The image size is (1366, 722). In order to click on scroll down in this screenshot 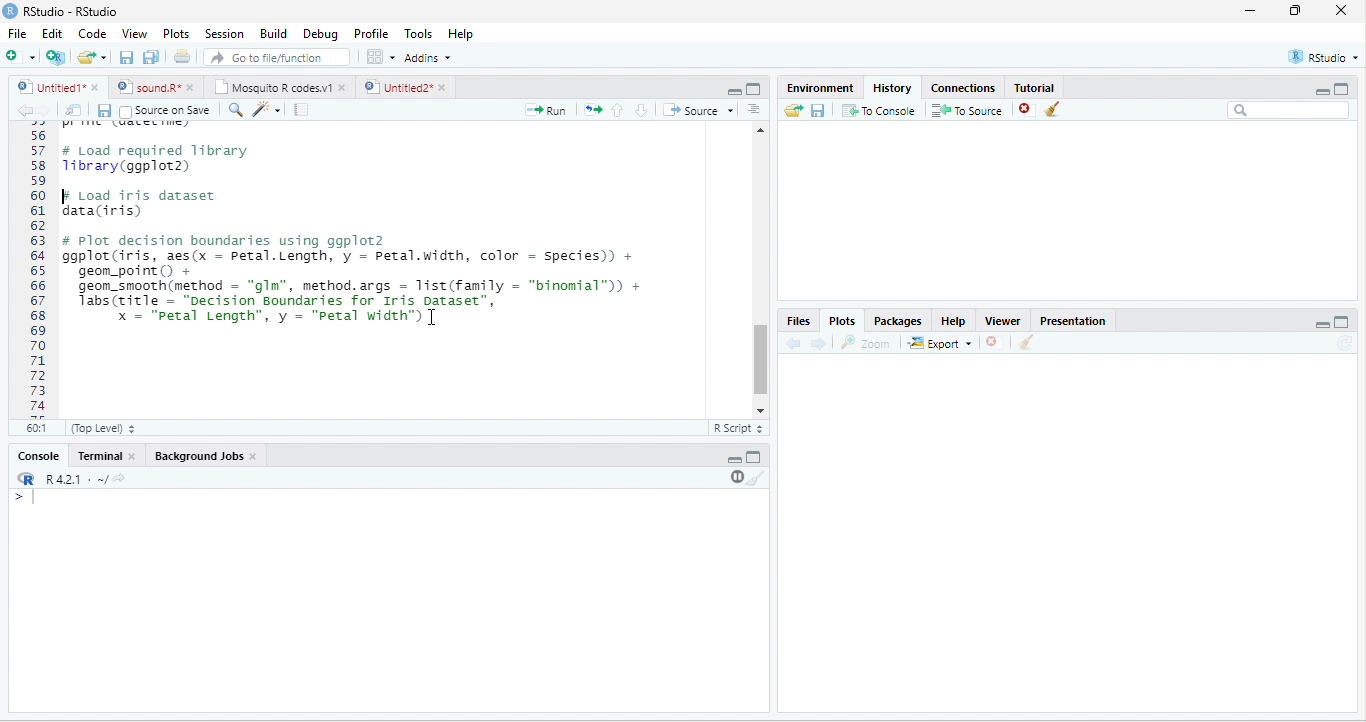, I will do `click(760, 411)`.